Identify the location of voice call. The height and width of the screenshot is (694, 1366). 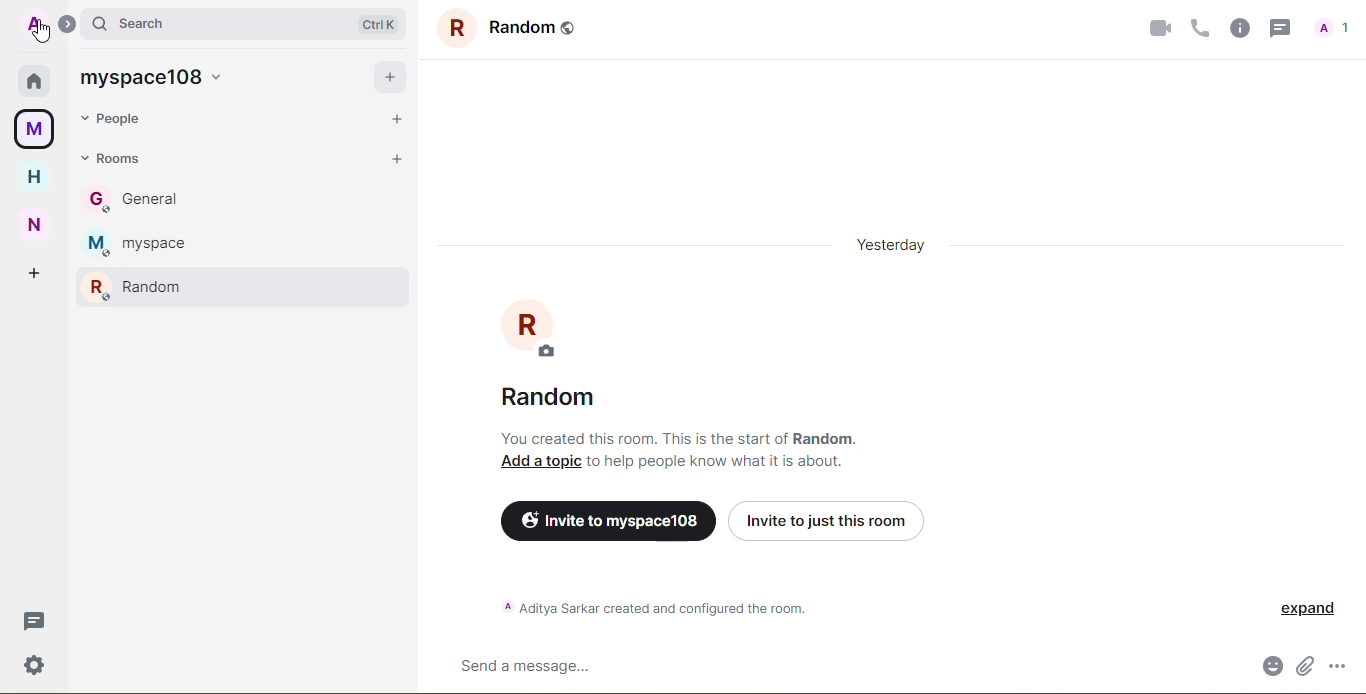
(1198, 27).